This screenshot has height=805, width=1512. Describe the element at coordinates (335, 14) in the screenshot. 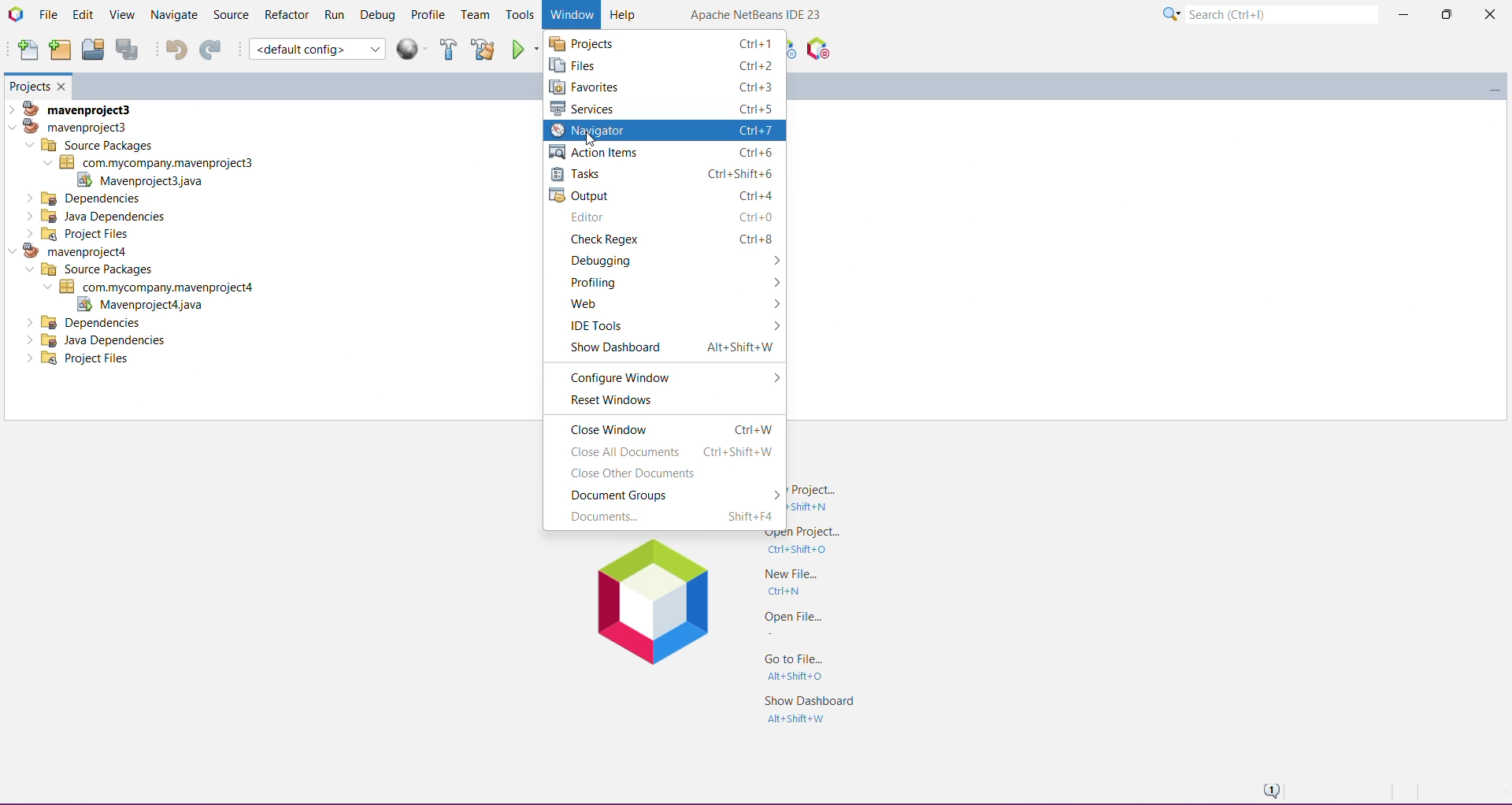

I see `Run` at that location.